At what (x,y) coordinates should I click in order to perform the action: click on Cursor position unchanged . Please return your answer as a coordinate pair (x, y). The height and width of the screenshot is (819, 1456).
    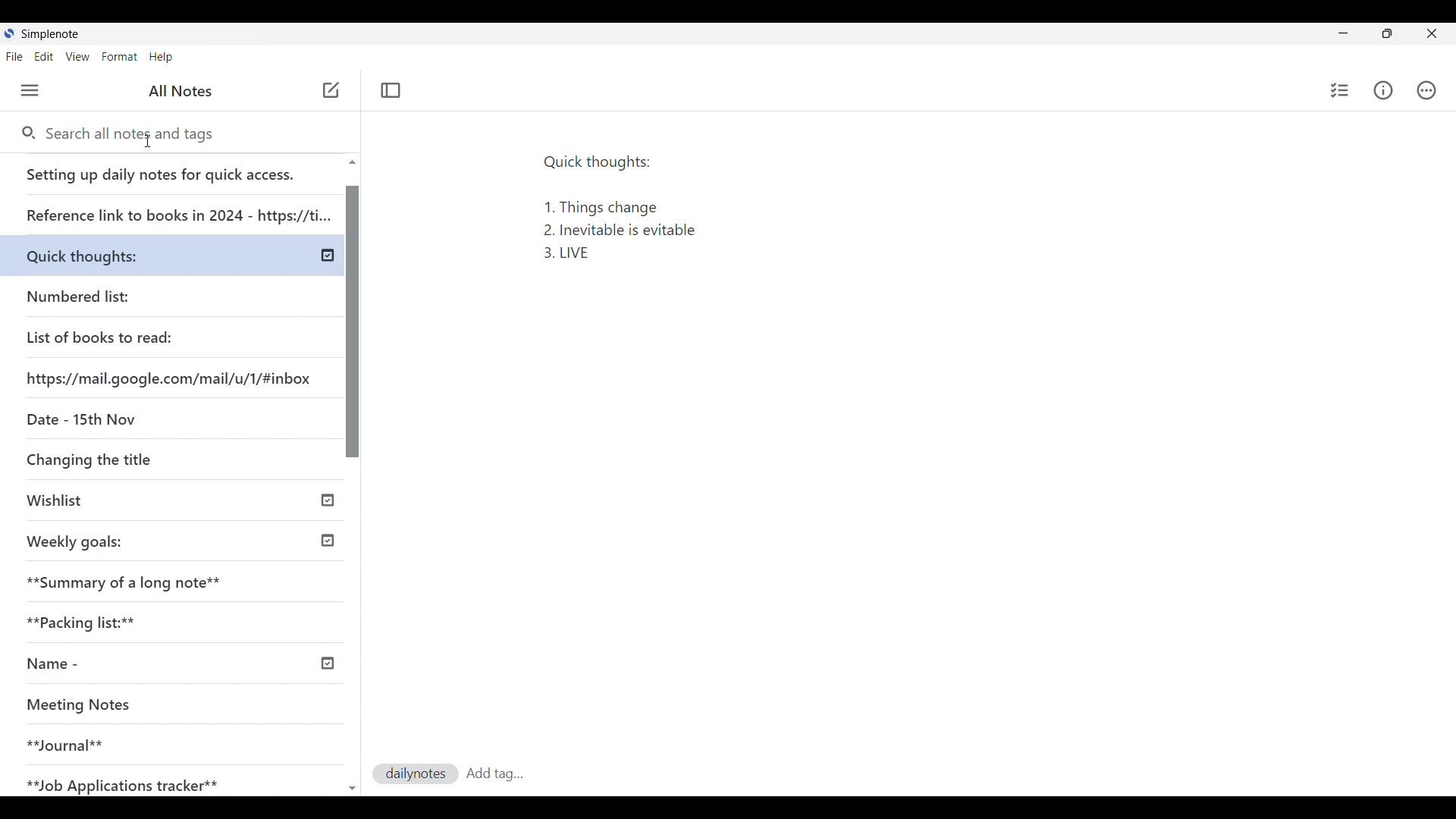
    Looking at the image, I should click on (148, 142).